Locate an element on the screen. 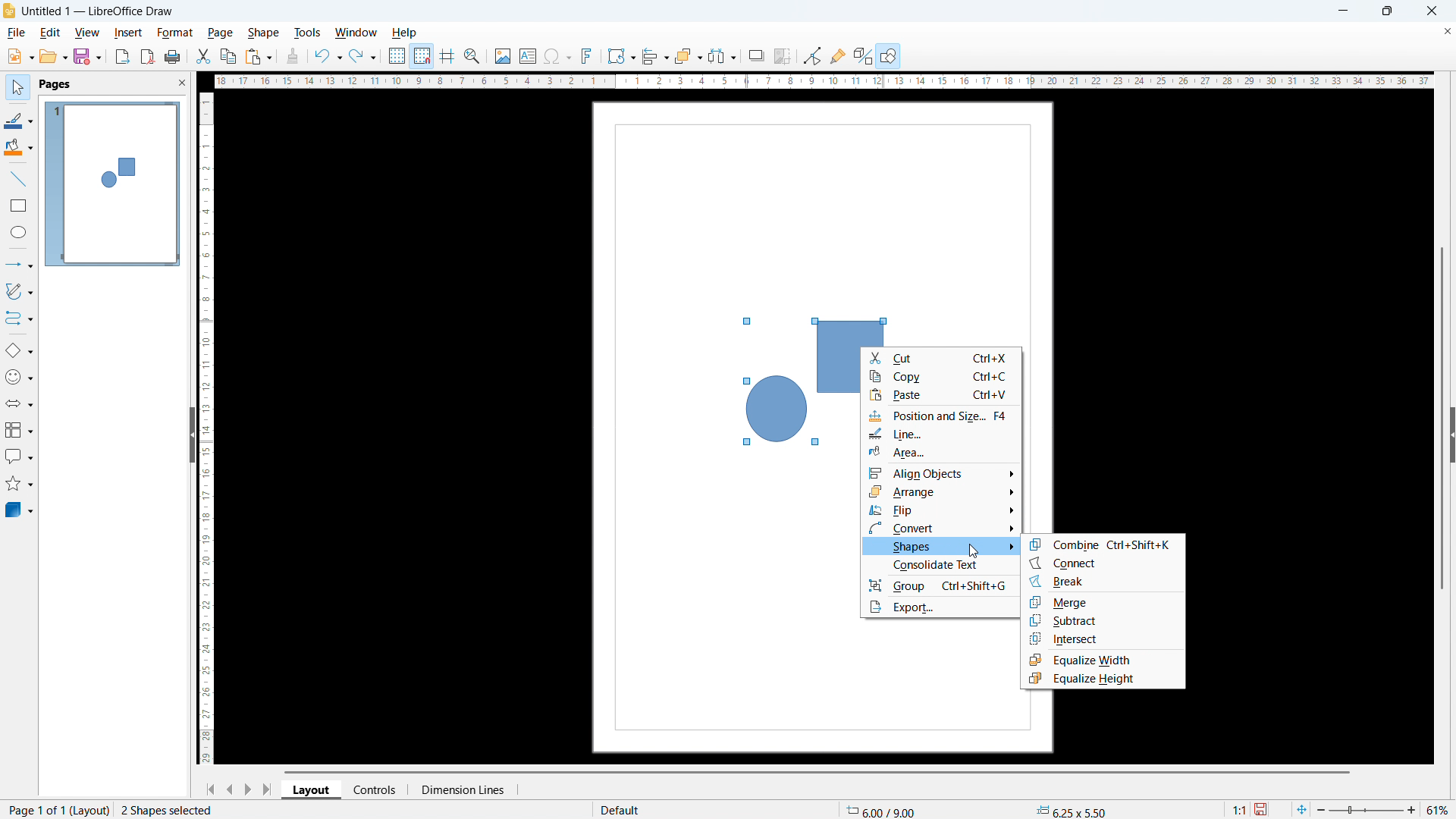  combine is located at coordinates (1105, 543).